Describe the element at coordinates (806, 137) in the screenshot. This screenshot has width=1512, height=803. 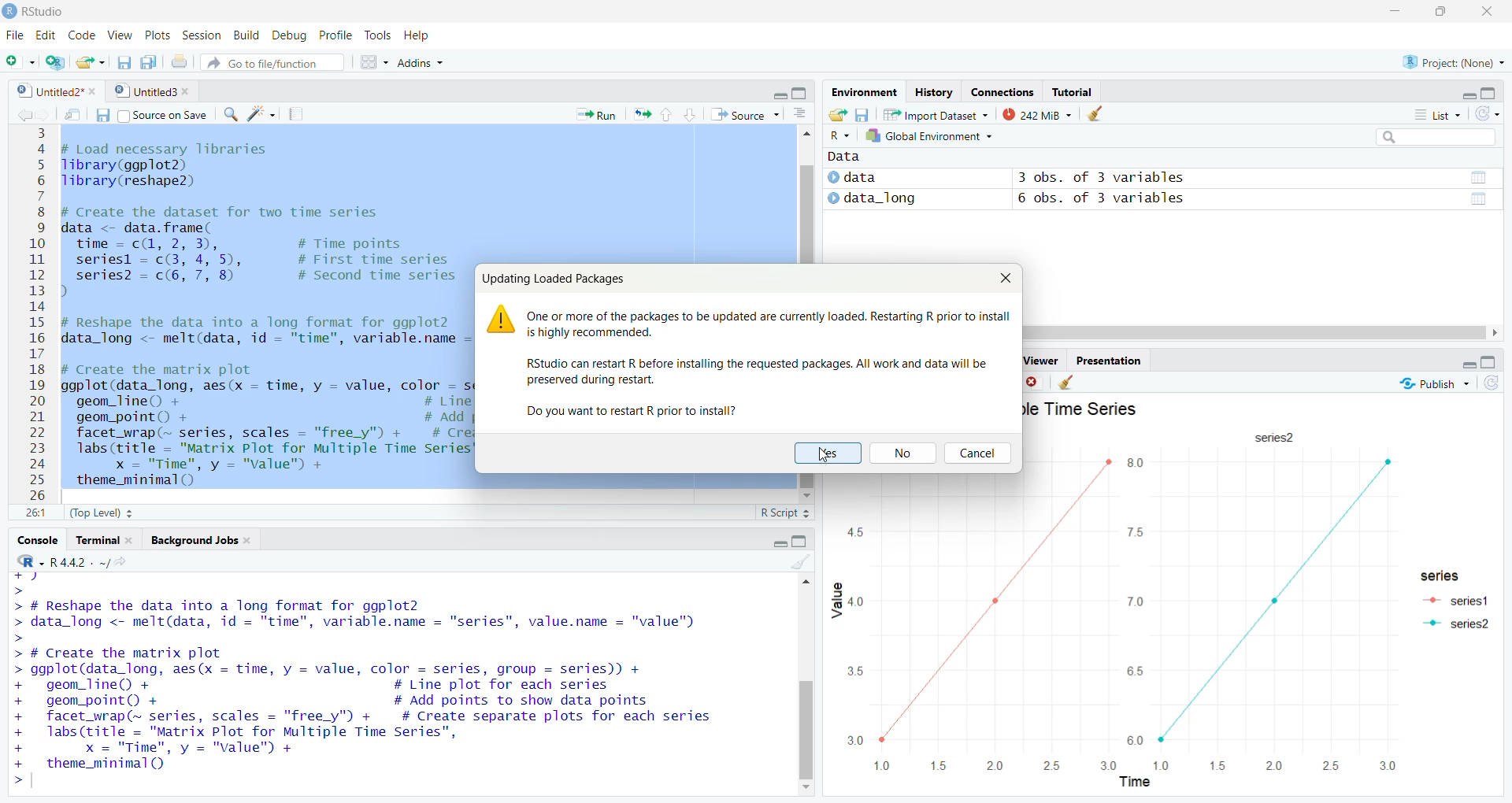
I see `scroll up` at that location.